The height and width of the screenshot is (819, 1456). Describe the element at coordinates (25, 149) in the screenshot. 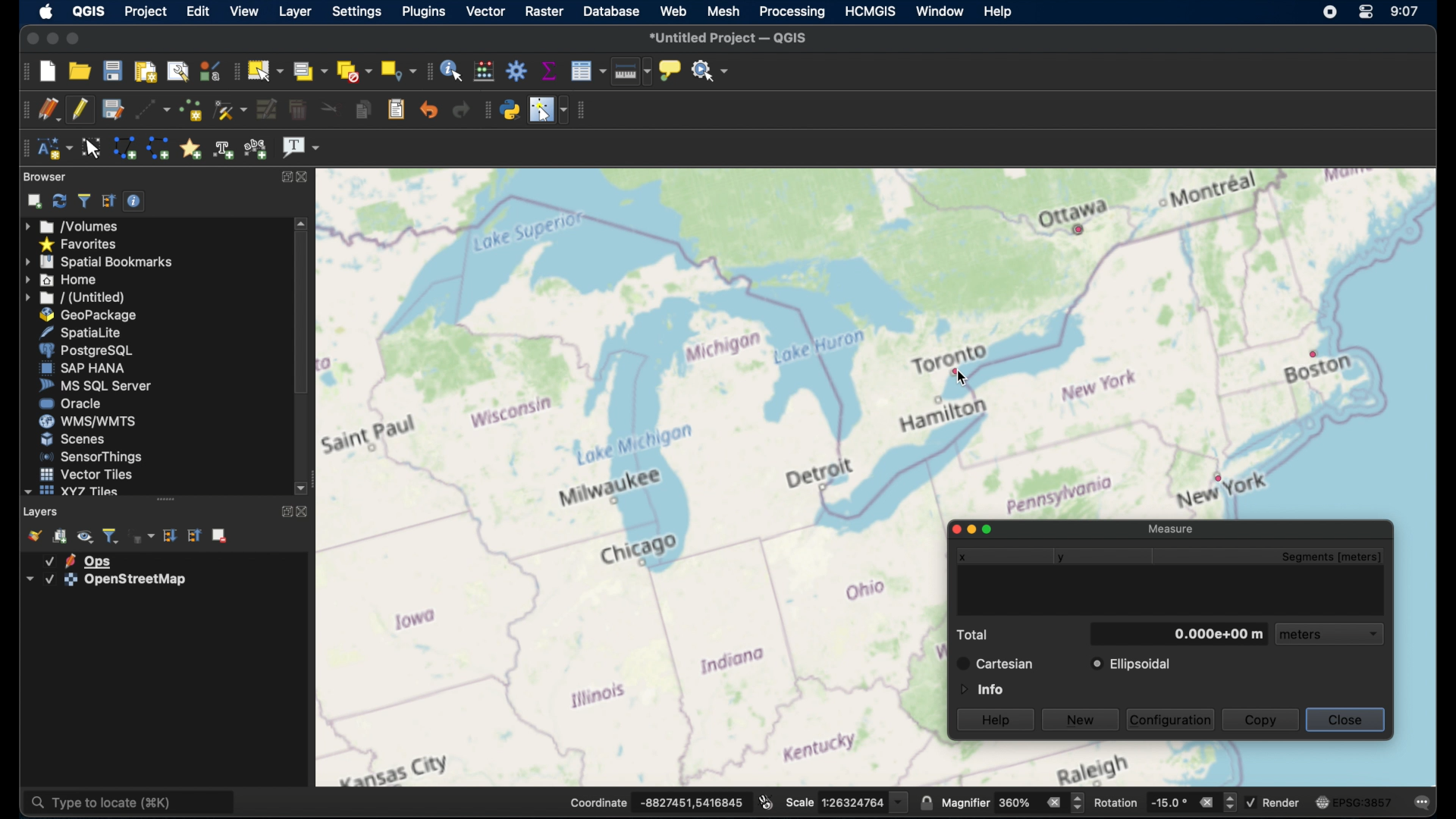

I see `annotation toolbar` at that location.